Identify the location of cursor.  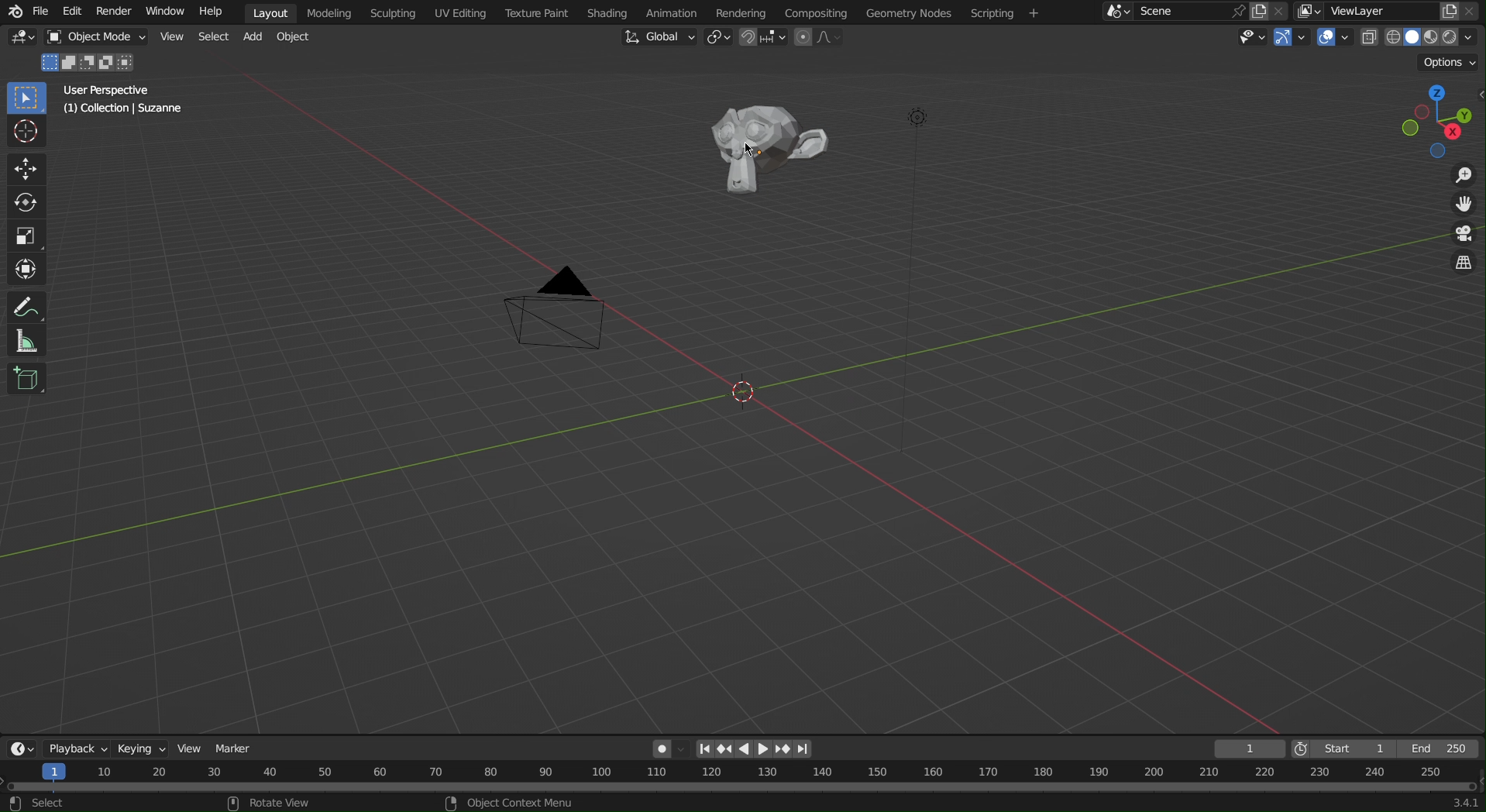
(750, 149).